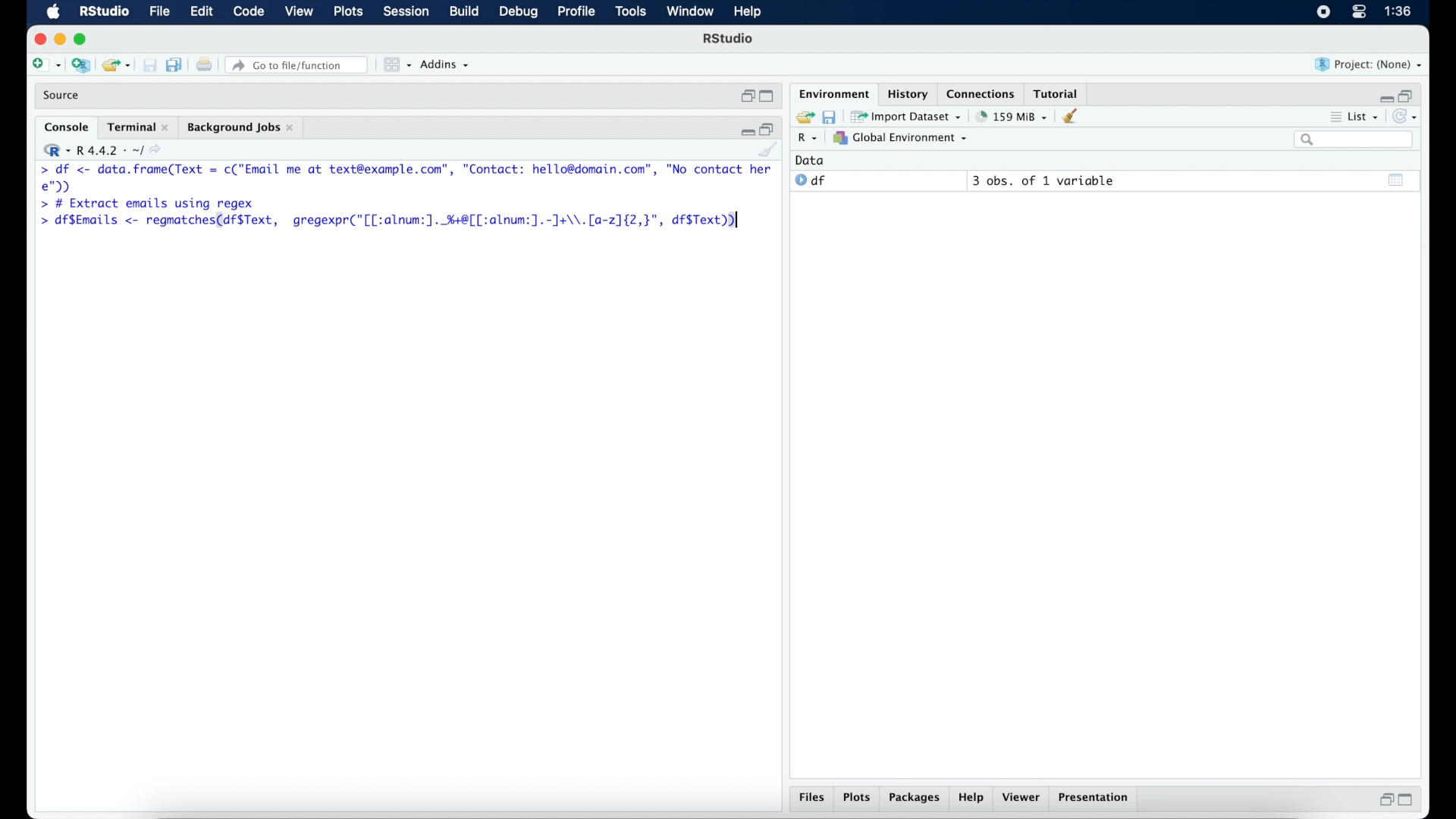 This screenshot has height=819, width=1456. Describe the element at coordinates (1323, 12) in the screenshot. I see `screen recorder icon` at that location.